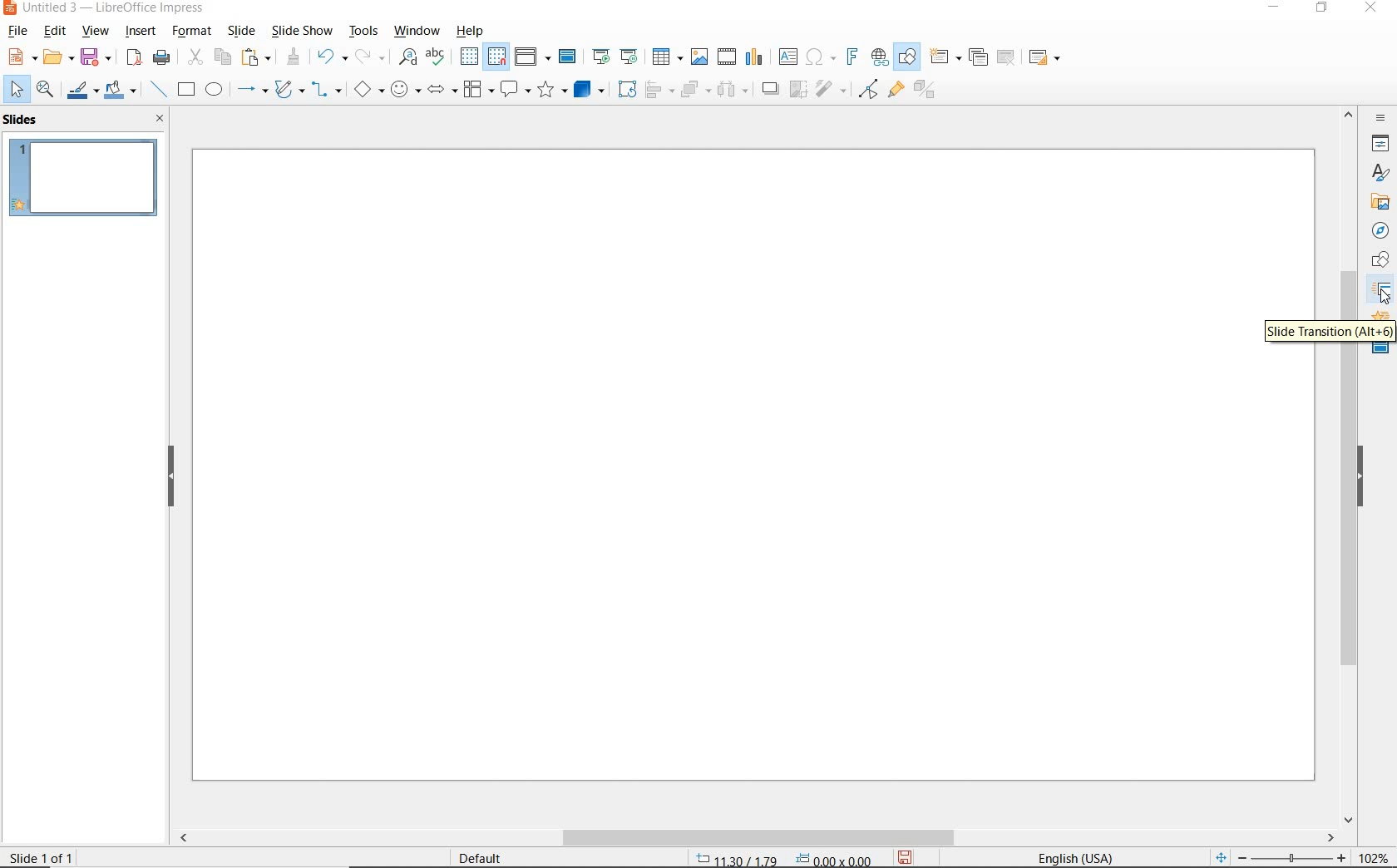  I want to click on PROPERTIES, so click(1382, 144).